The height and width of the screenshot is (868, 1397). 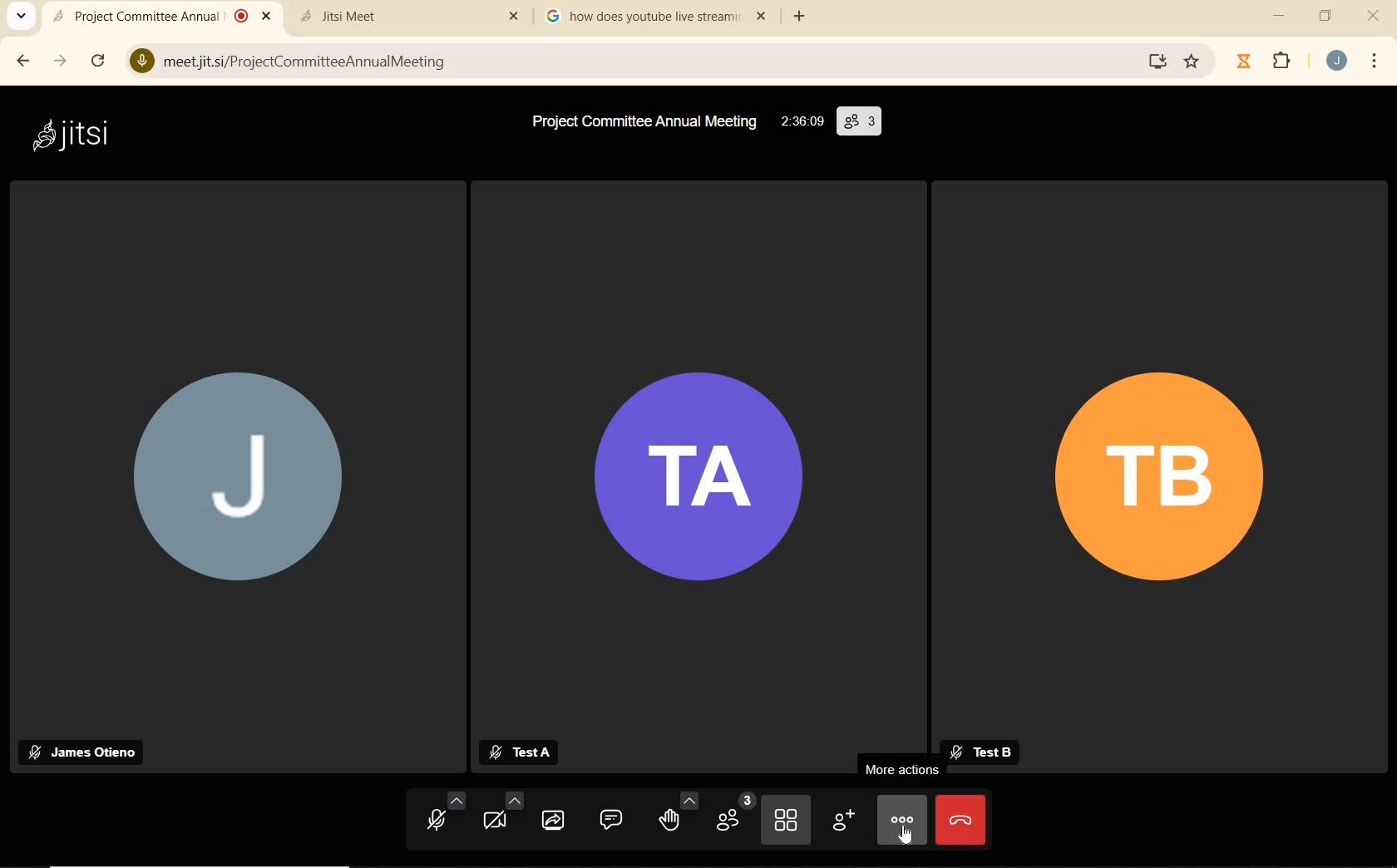 What do you see at coordinates (1157, 62) in the screenshot?
I see `screen` at bounding box center [1157, 62].